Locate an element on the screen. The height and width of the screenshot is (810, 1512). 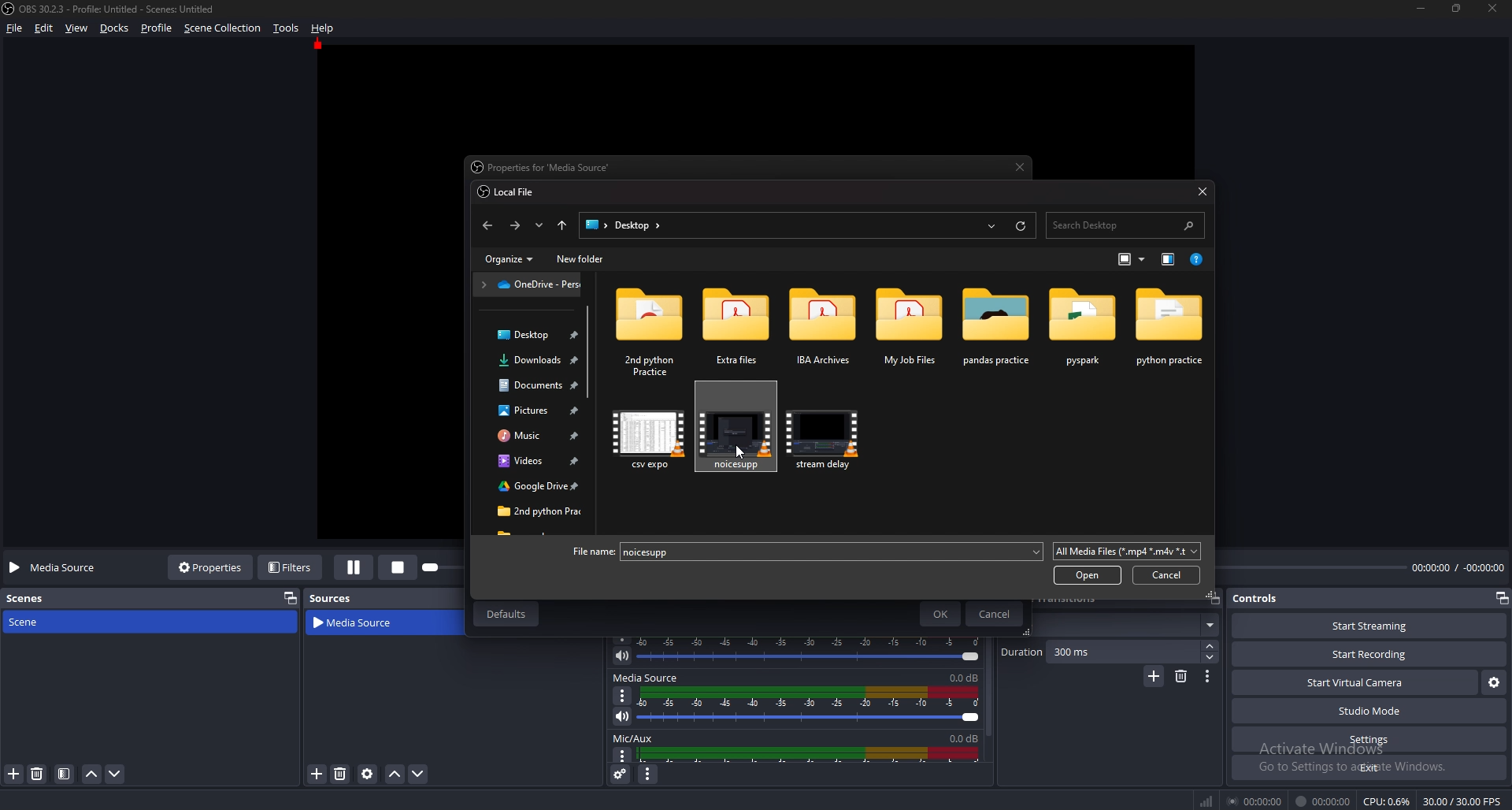
OBS LOGO is located at coordinates (9, 9).